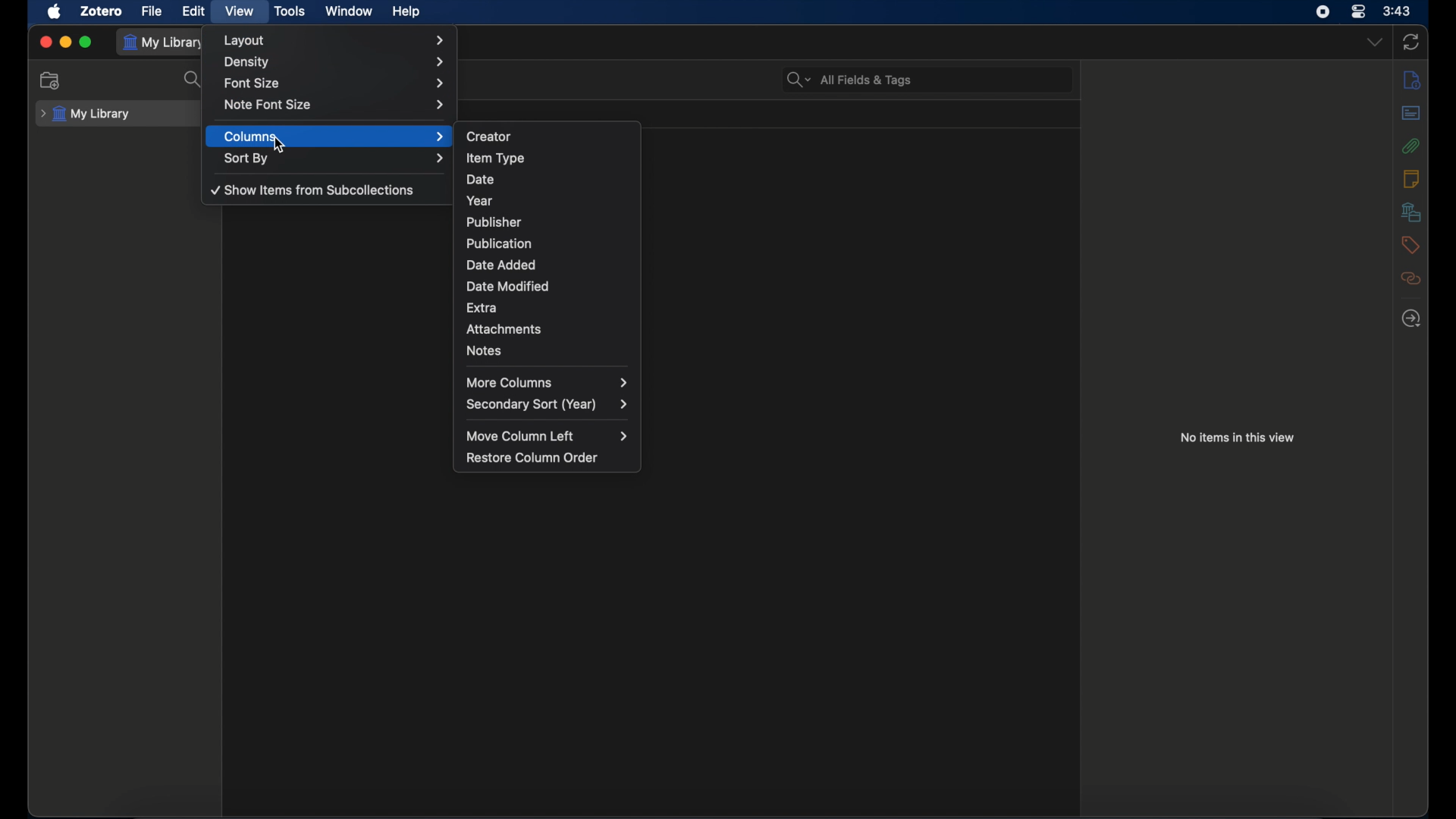 The width and height of the screenshot is (1456, 819). Describe the element at coordinates (1323, 12) in the screenshot. I see `screen recorder` at that location.